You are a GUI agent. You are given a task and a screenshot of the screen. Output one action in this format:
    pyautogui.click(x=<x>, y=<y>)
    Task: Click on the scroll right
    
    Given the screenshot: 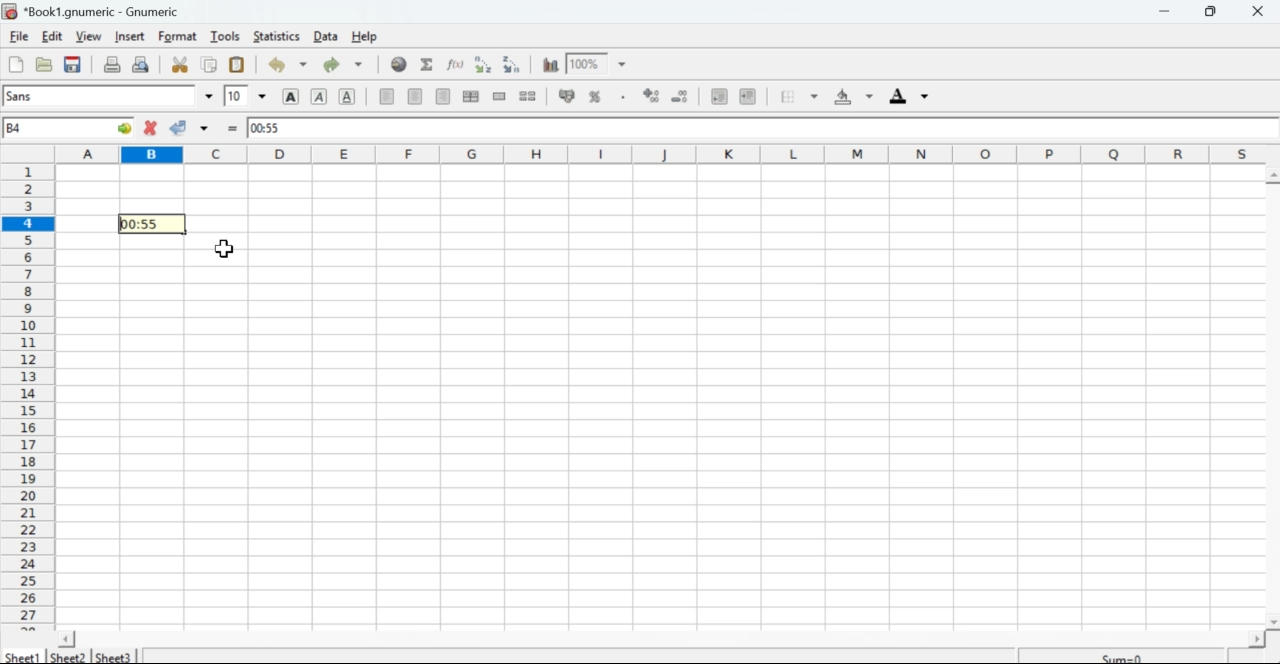 What is the action you would take?
    pyautogui.click(x=1256, y=640)
    